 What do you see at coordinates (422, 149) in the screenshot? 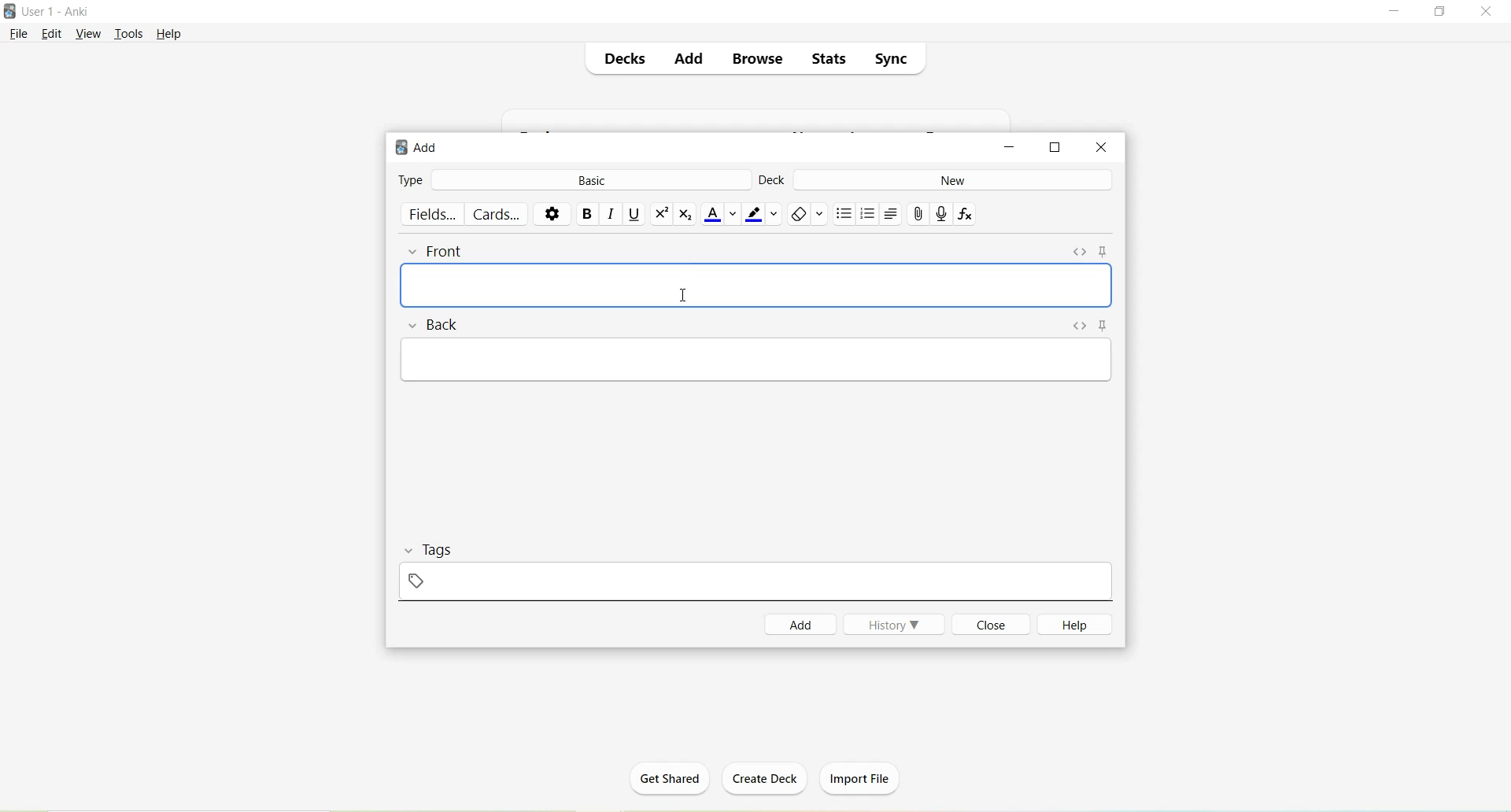
I see `Add` at bounding box center [422, 149].